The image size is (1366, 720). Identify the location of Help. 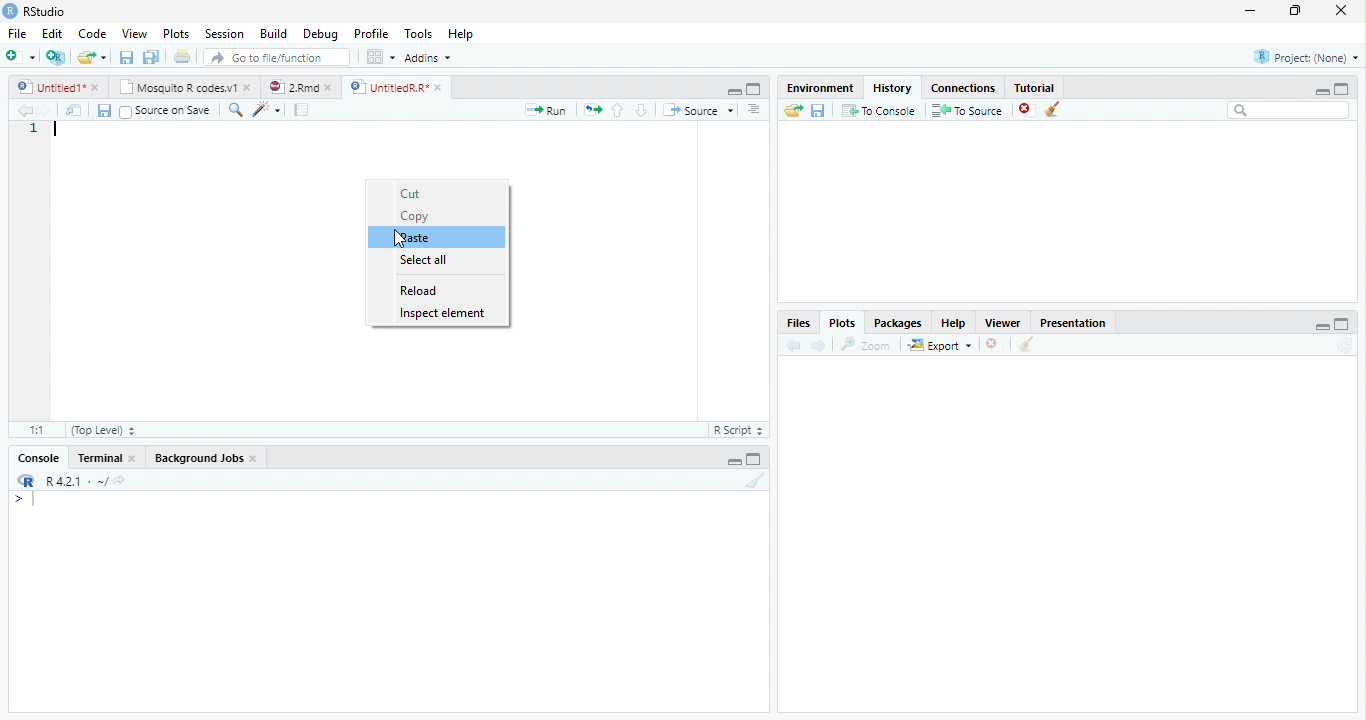
(953, 325).